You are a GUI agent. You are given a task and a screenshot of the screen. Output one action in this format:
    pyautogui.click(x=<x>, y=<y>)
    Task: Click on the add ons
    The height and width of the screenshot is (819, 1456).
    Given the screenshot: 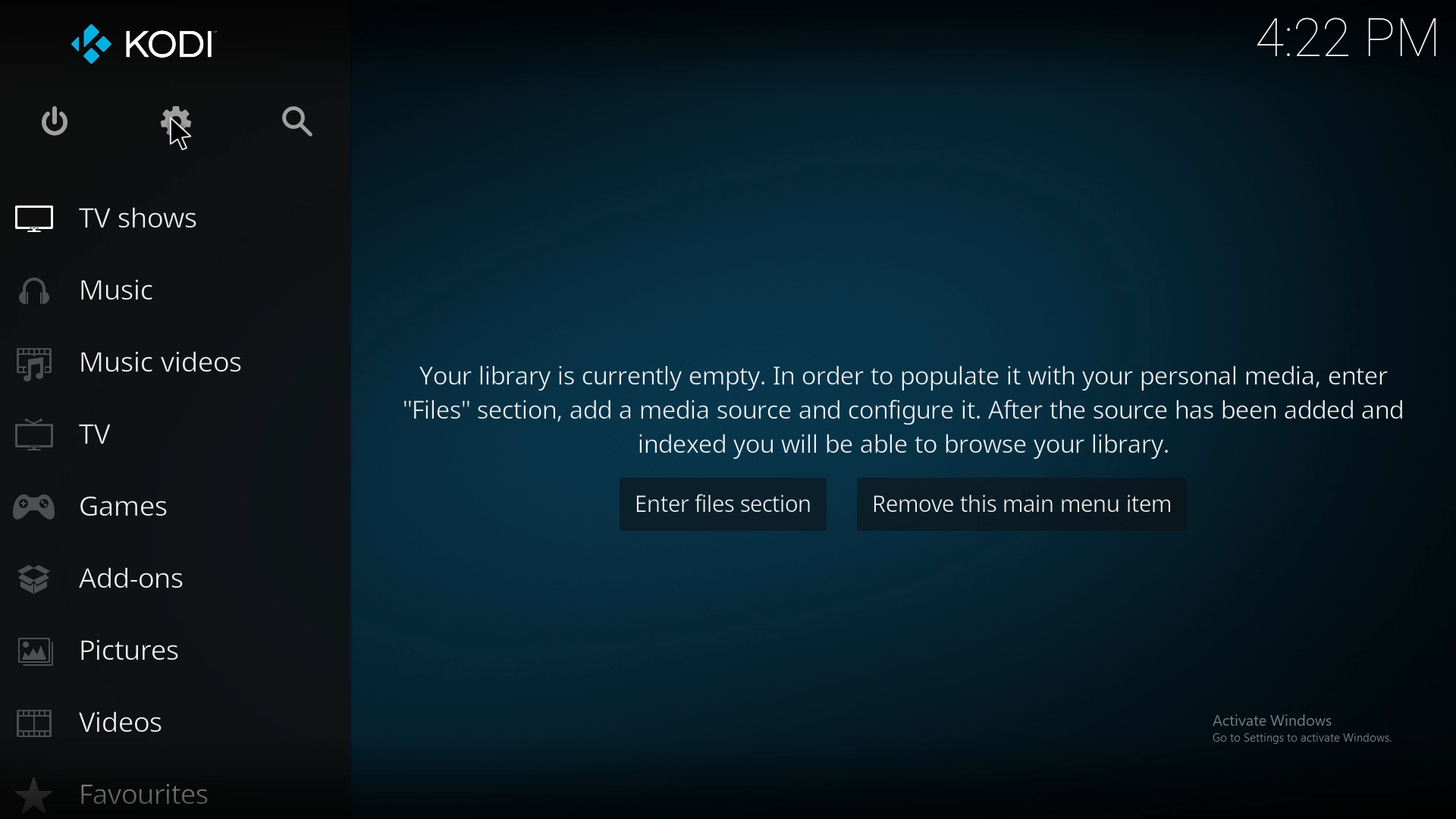 What is the action you would take?
    pyautogui.click(x=164, y=577)
    